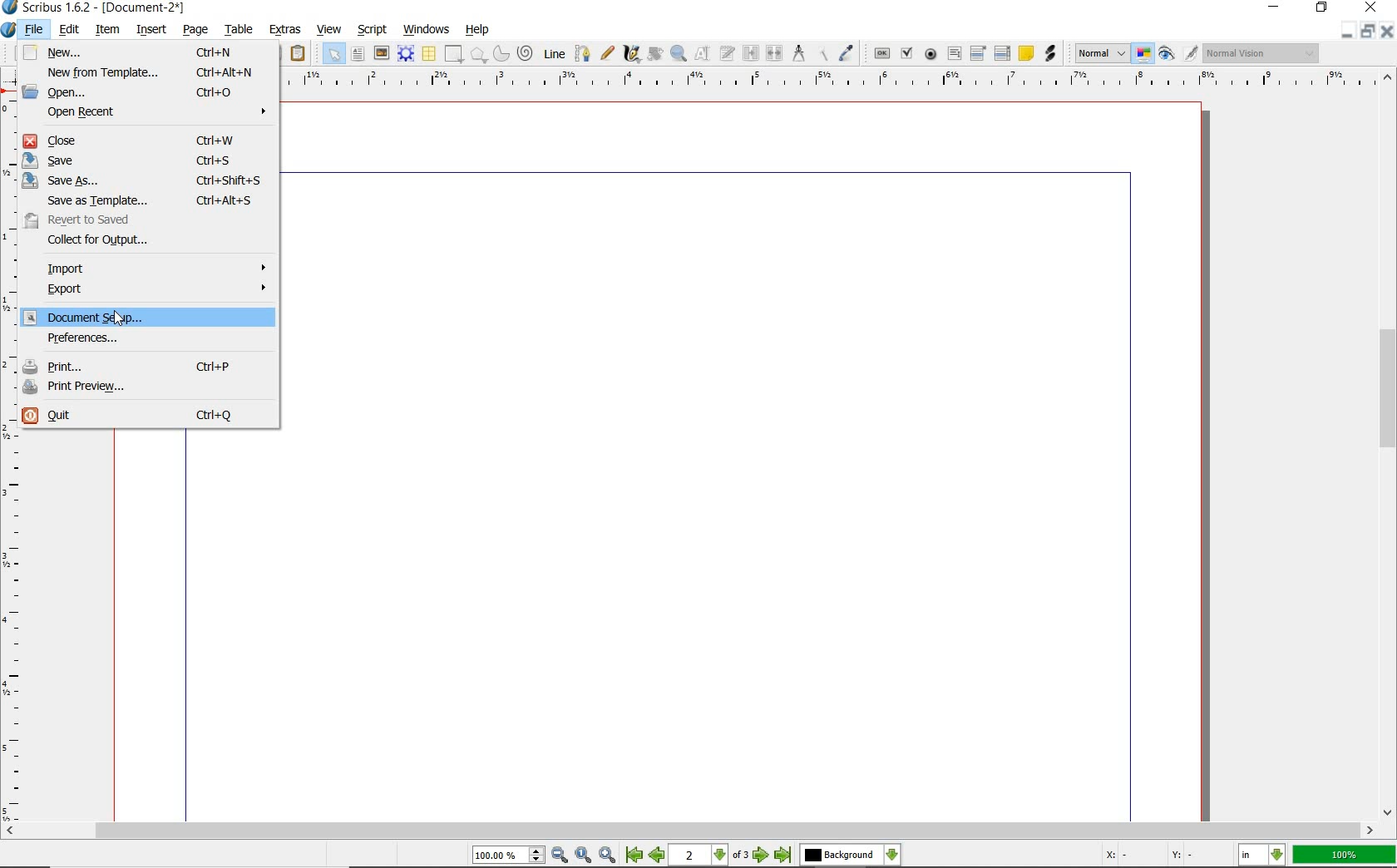 Image resolution: width=1397 pixels, height=868 pixels. Describe the element at coordinates (501, 55) in the screenshot. I see `arc` at that location.